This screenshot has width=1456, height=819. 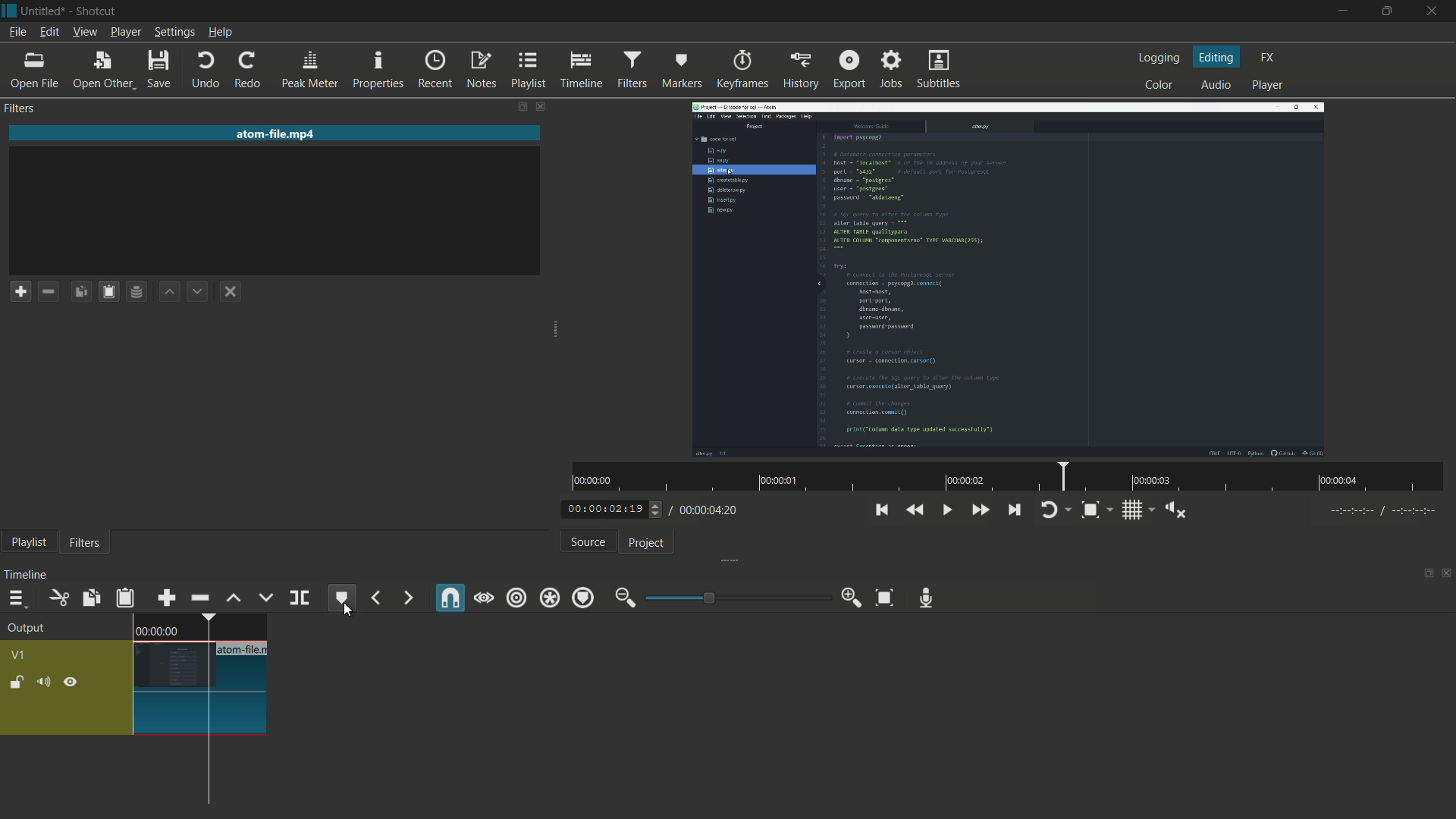 What do you see at coordinates (157, 629) in the screenshot?
I see `time` at bounding box center [157, 629].